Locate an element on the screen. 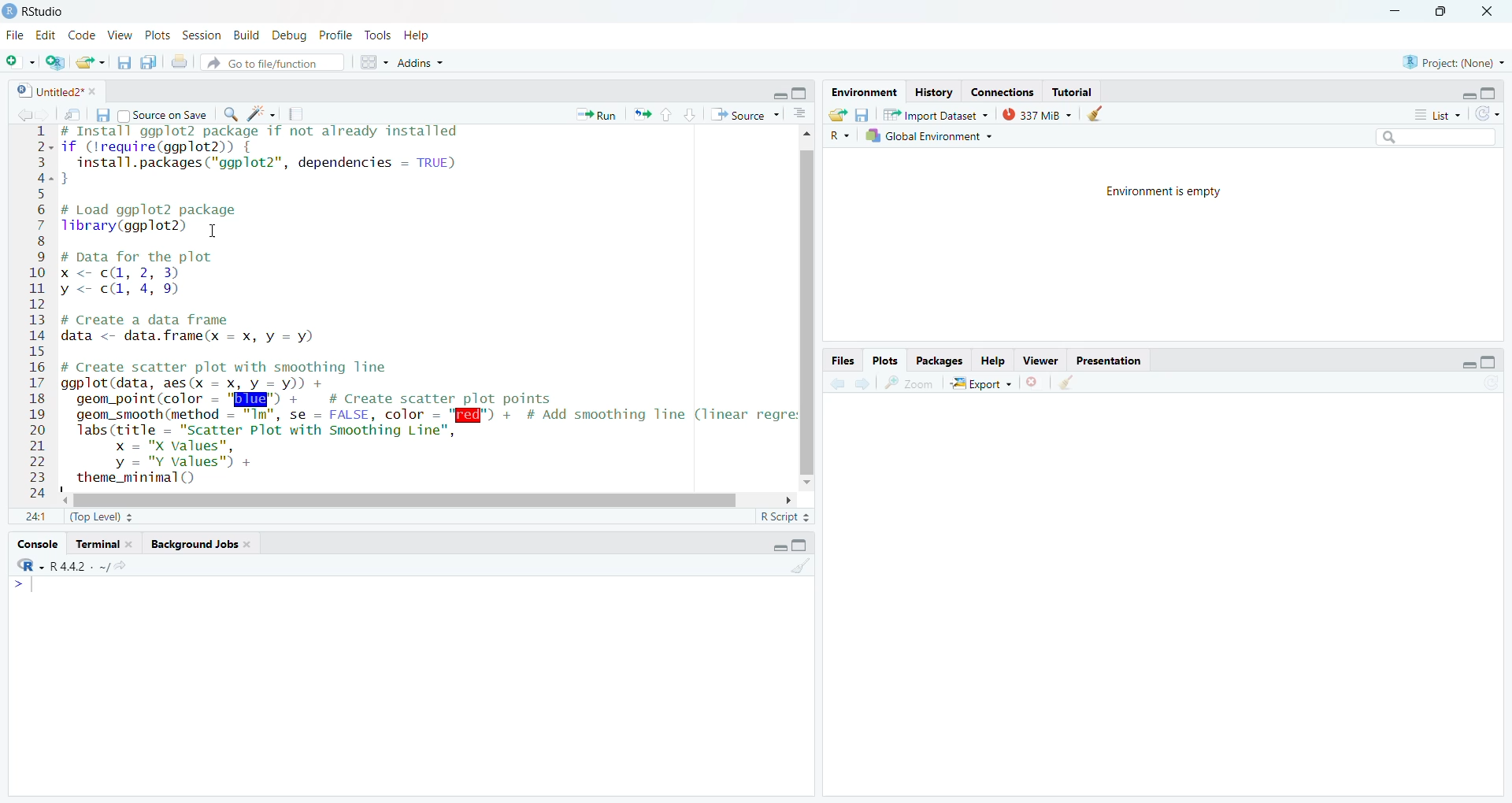 This screenshot has width=1512, height=803. Edit is located at coordinates (45, 36).